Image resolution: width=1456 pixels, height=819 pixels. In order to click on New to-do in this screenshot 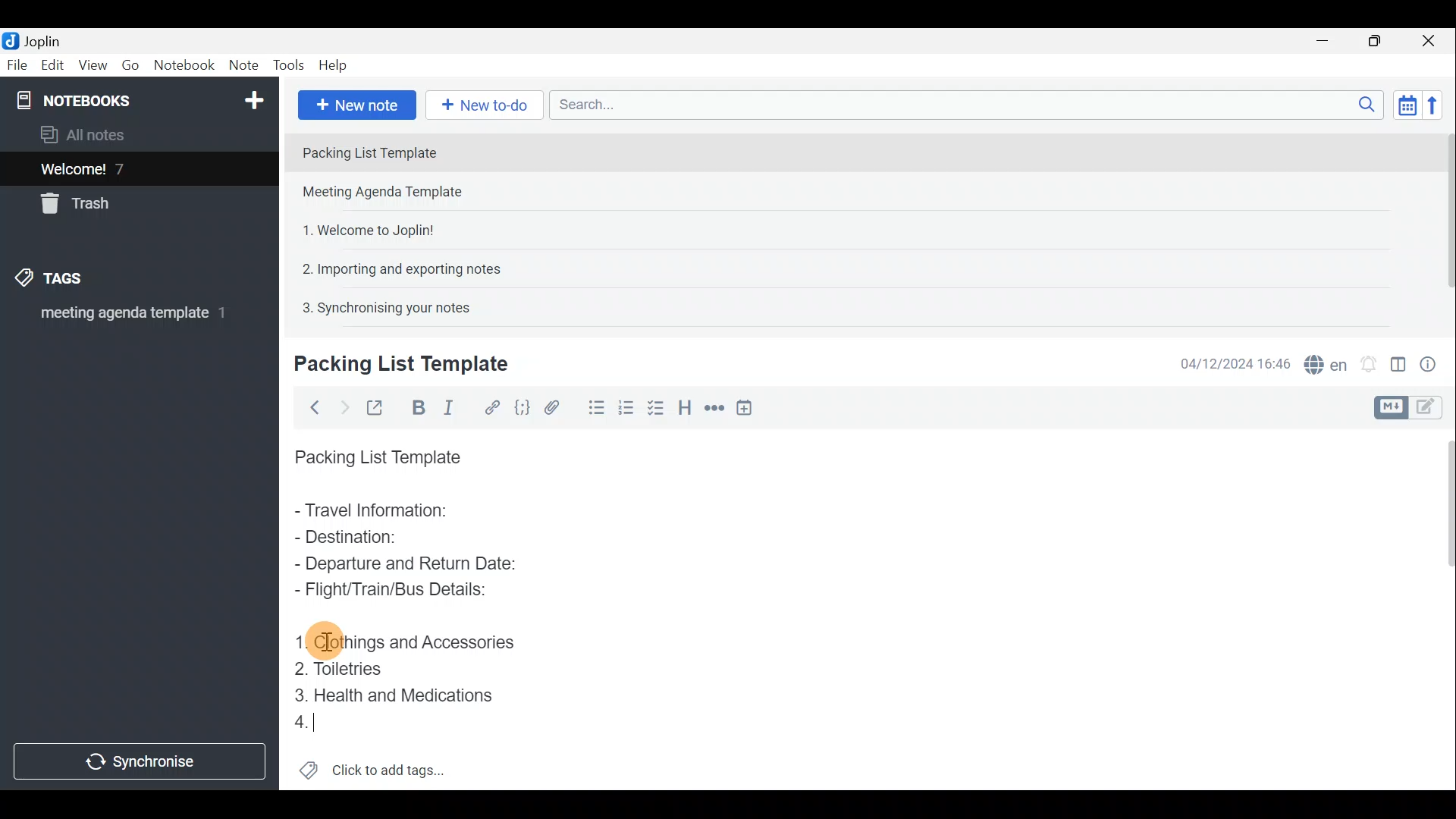, I will do `click(485, 105)`.